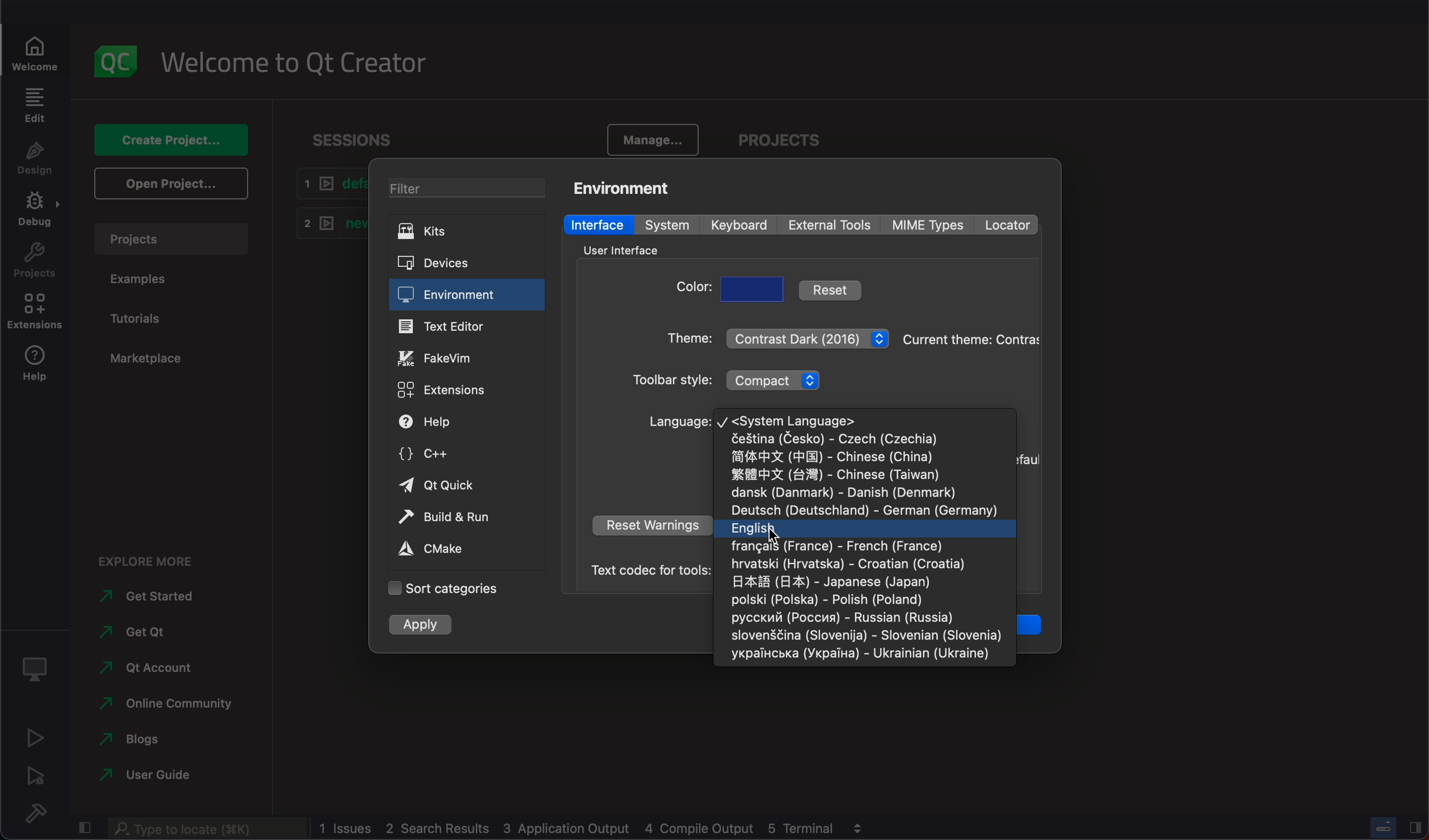 The image size is (1429, 840). I want to click on logs, so click(578, 828).